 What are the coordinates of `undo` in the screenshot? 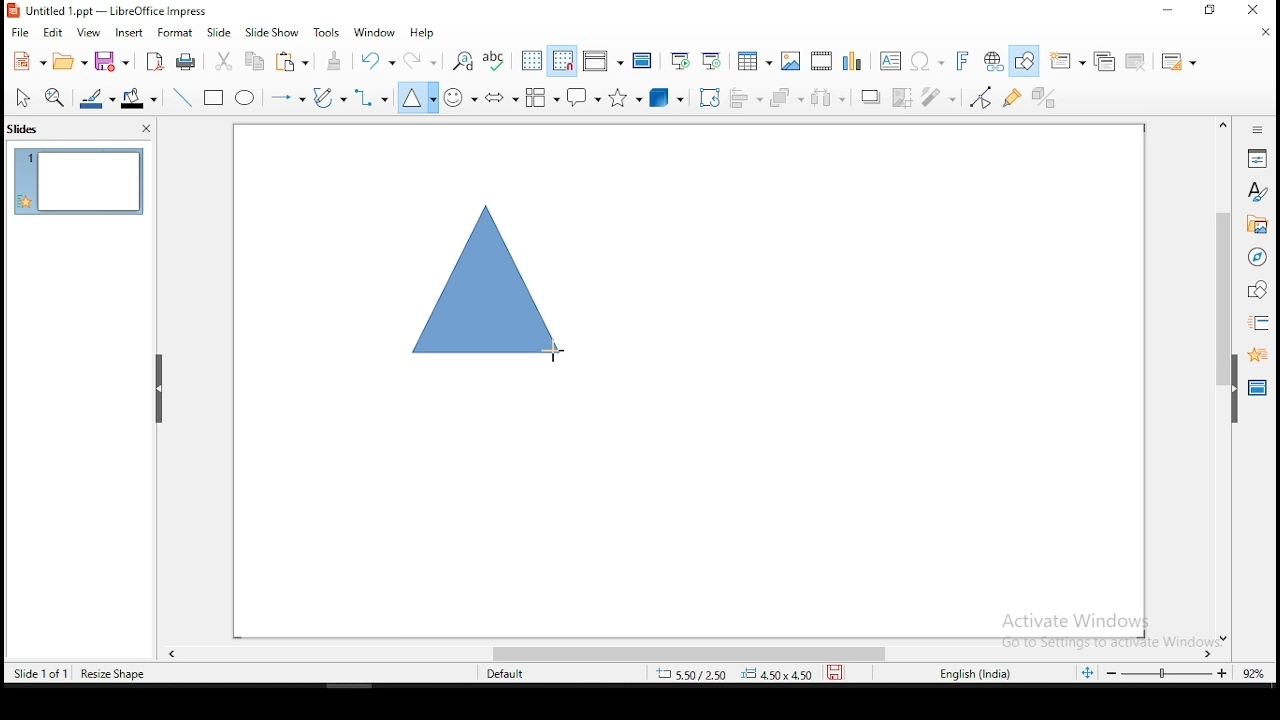 It's located at (378, 61).